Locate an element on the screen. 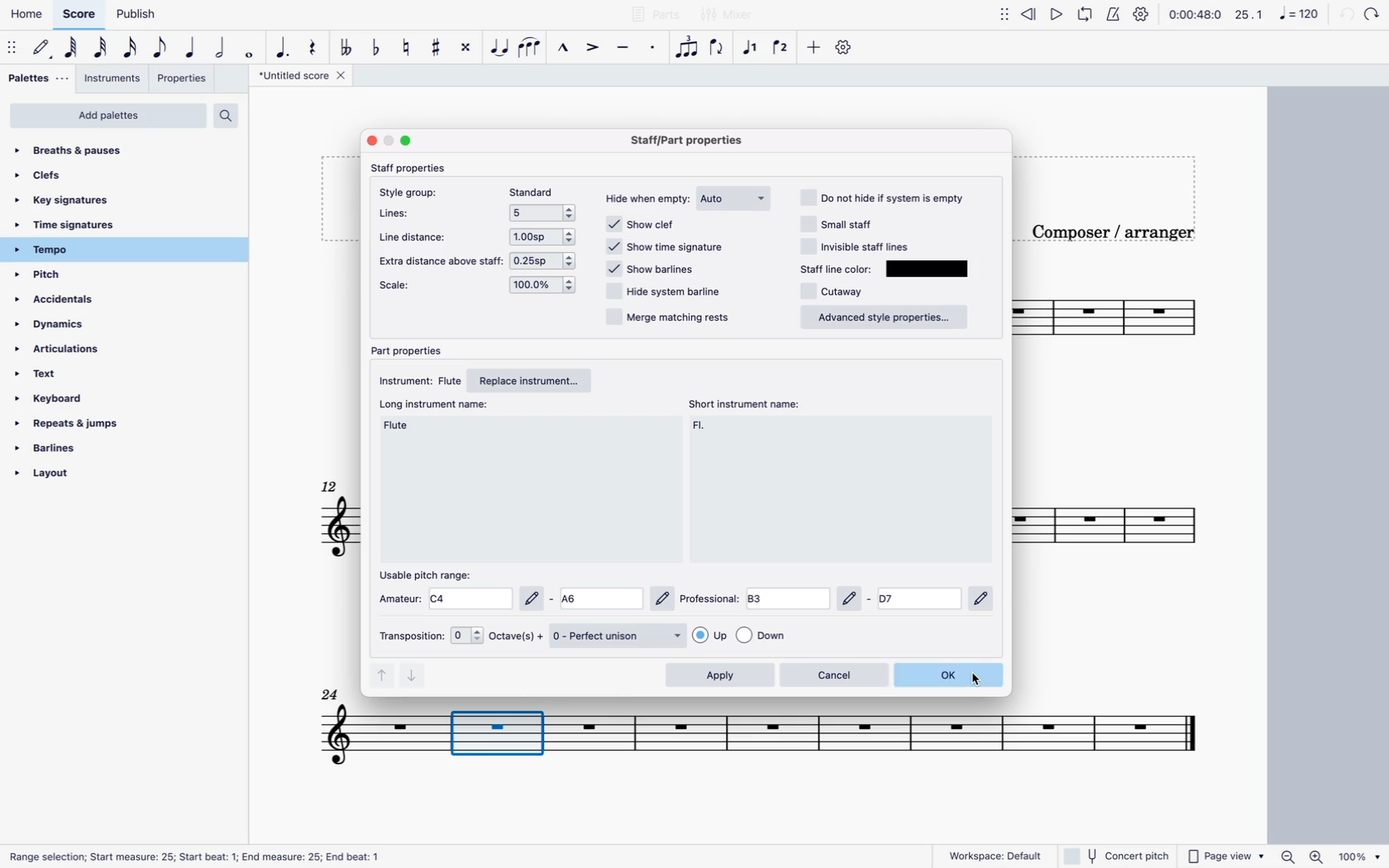  default is located at coordinates (41, 49).